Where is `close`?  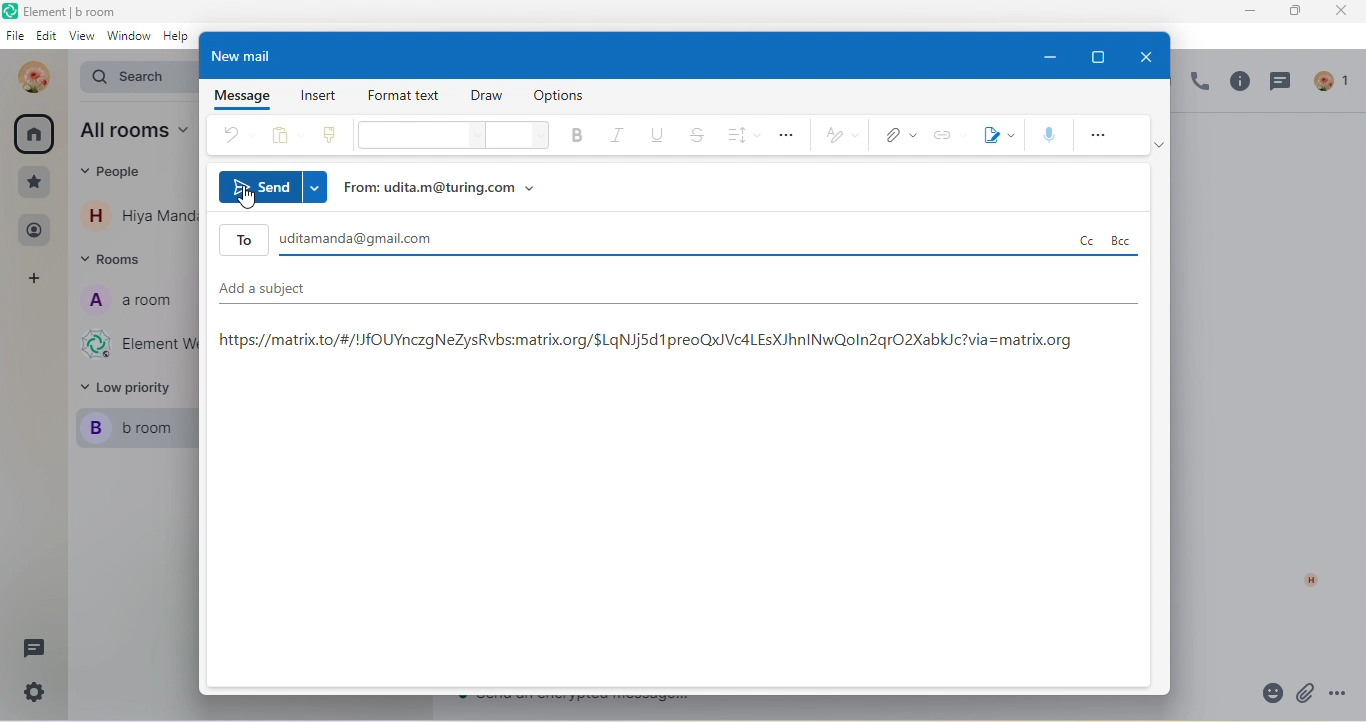 close is located at coordinates (1144, 55).